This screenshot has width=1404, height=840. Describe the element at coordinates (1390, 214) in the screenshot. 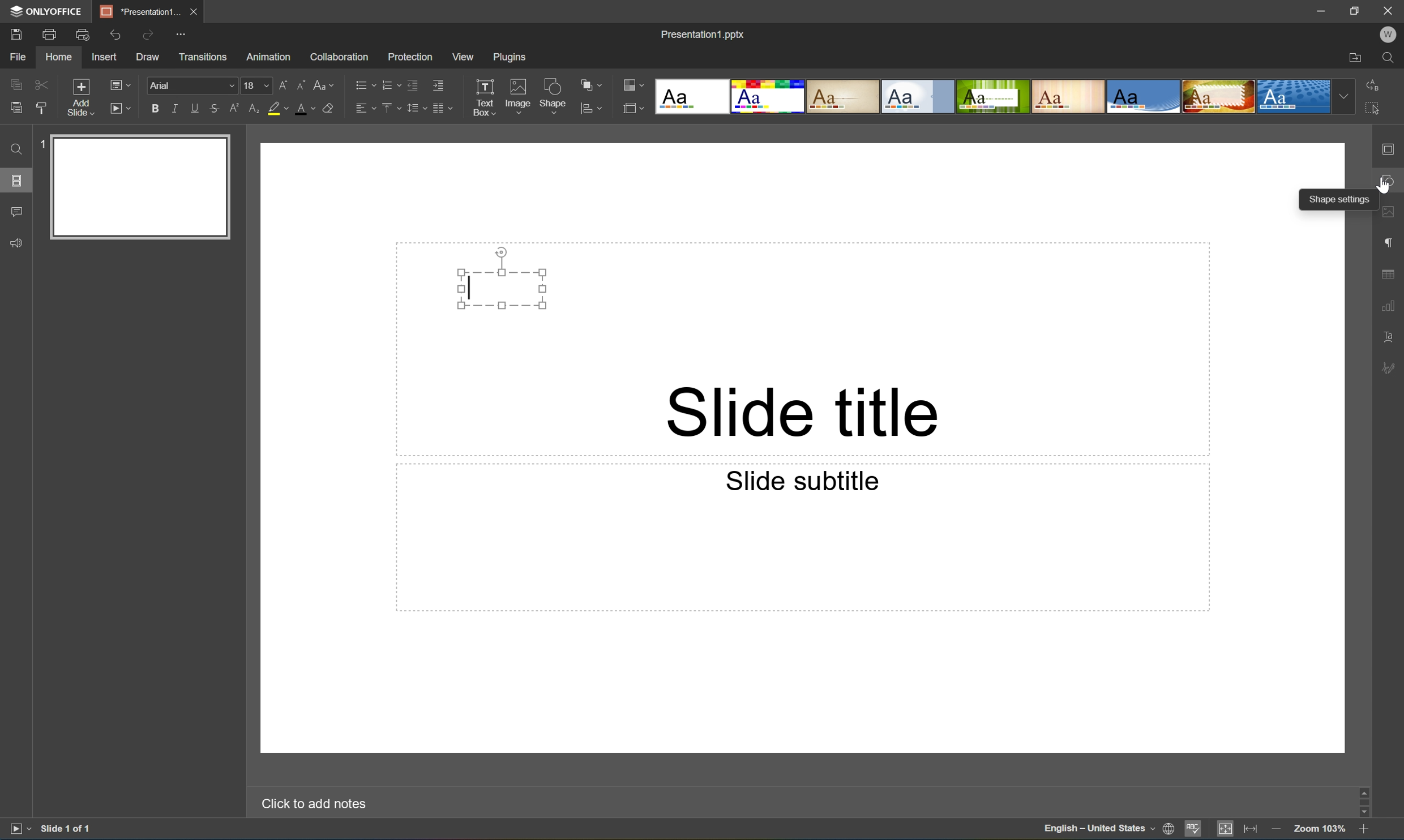

I see `image settings` at that location.